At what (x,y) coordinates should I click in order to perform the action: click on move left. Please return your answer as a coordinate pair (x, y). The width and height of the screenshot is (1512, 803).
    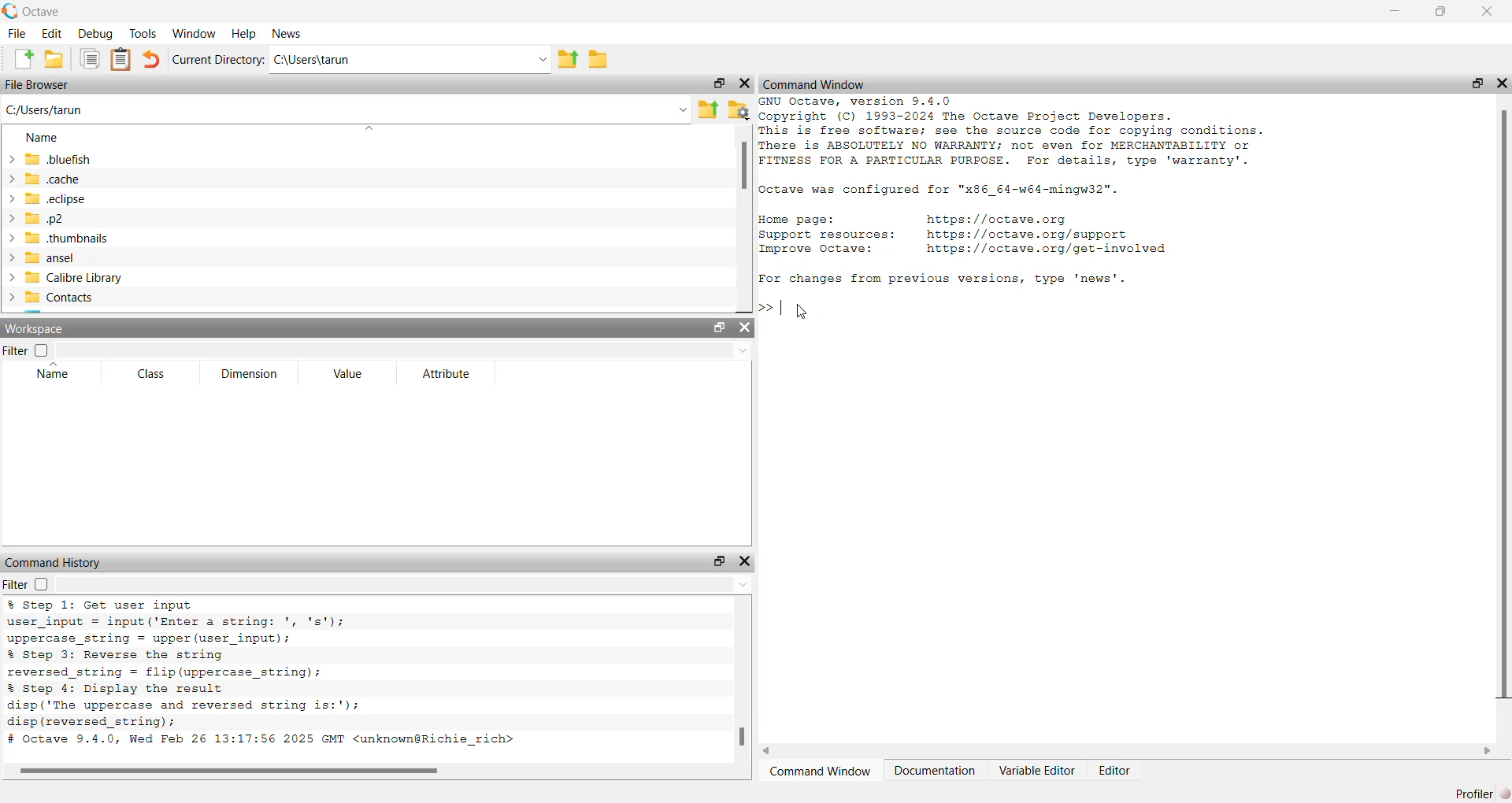
    Looking at the image, I should click on (769, 749).